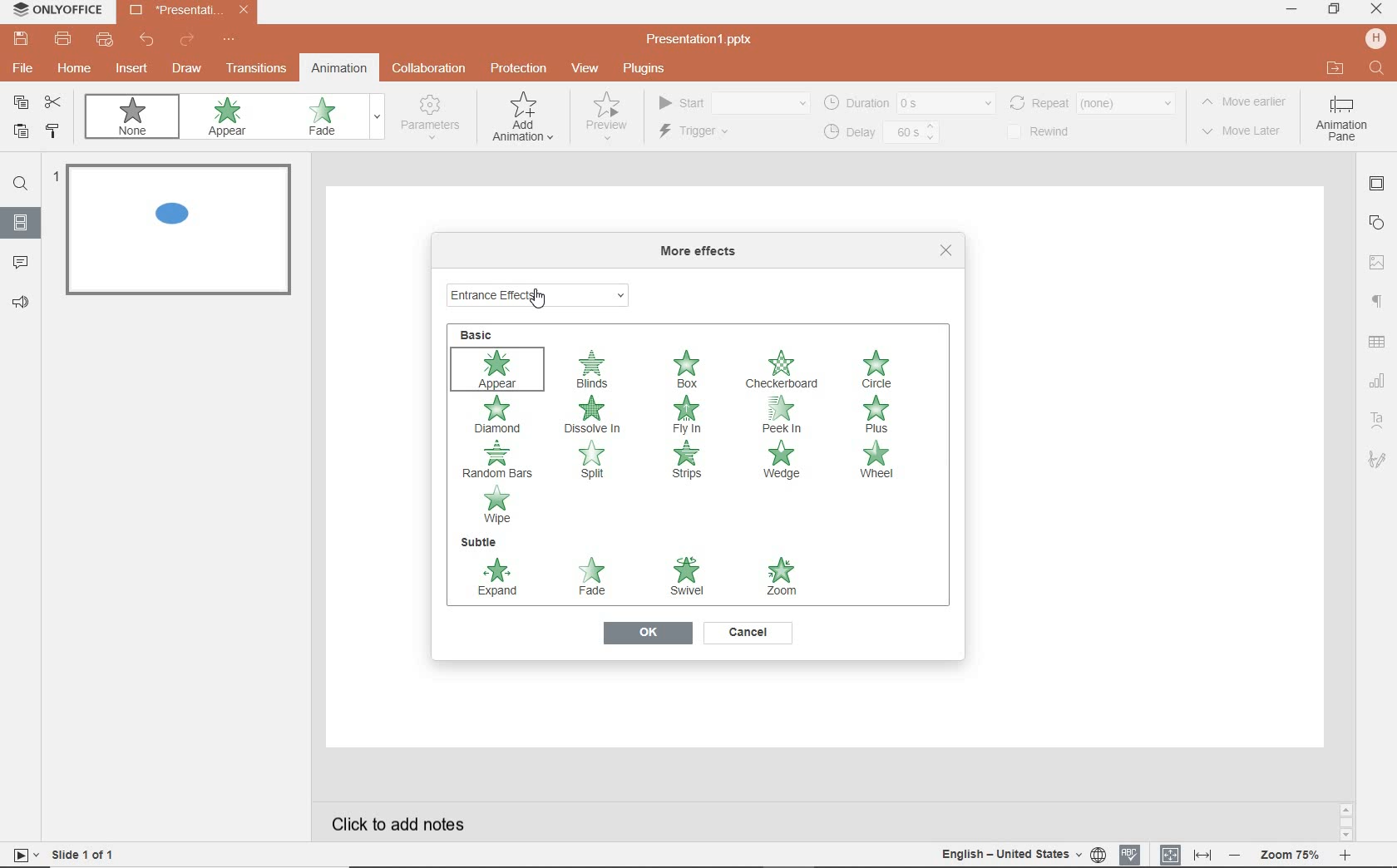 This screenshot has width=1397, height=868. Describe the element at coordinates (876, 462) in the screenshot. I see `WHEEL` at that location.